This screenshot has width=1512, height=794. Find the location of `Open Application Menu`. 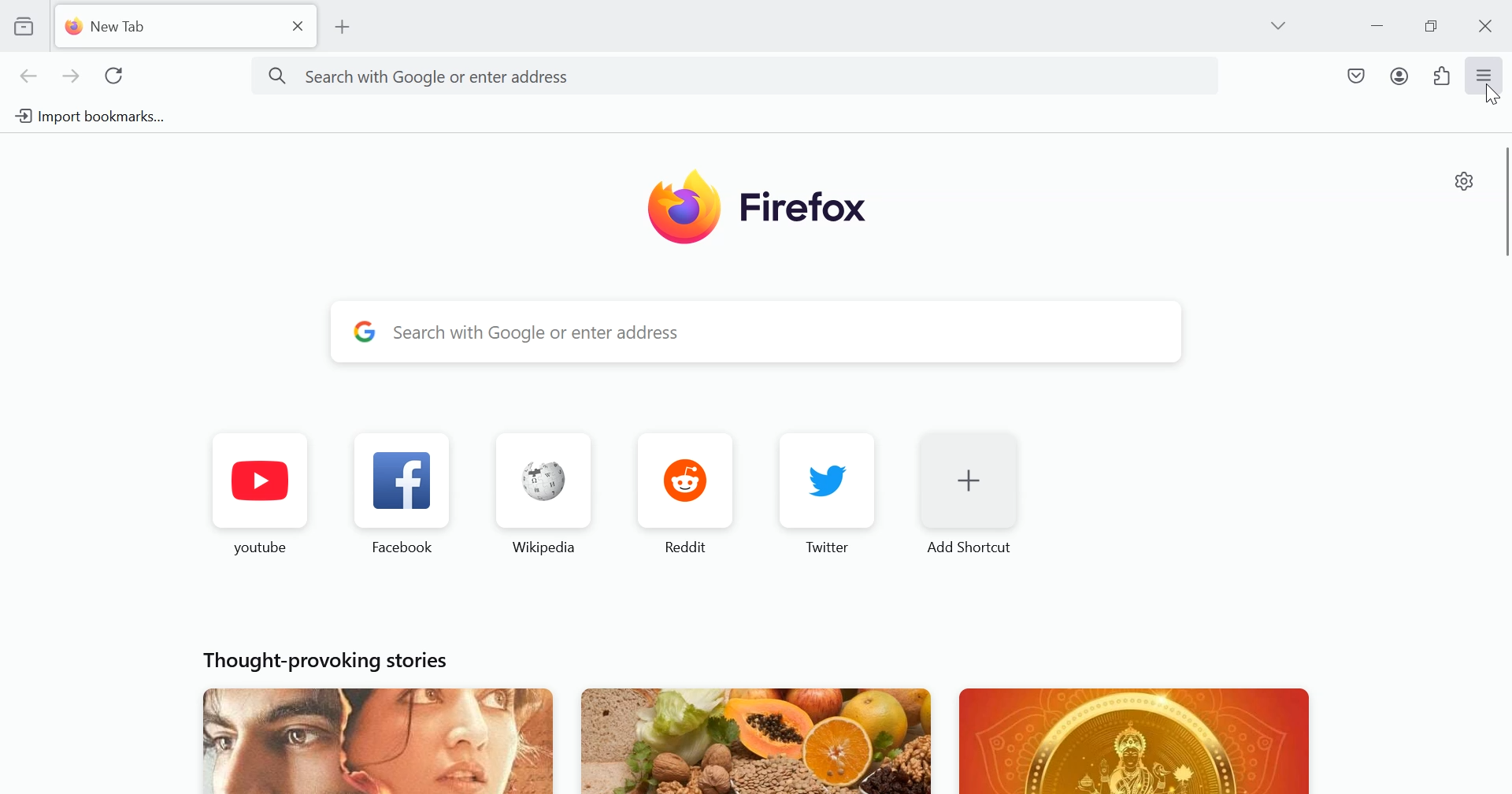

Open Application Menu is located at coordinates (1487, 76).